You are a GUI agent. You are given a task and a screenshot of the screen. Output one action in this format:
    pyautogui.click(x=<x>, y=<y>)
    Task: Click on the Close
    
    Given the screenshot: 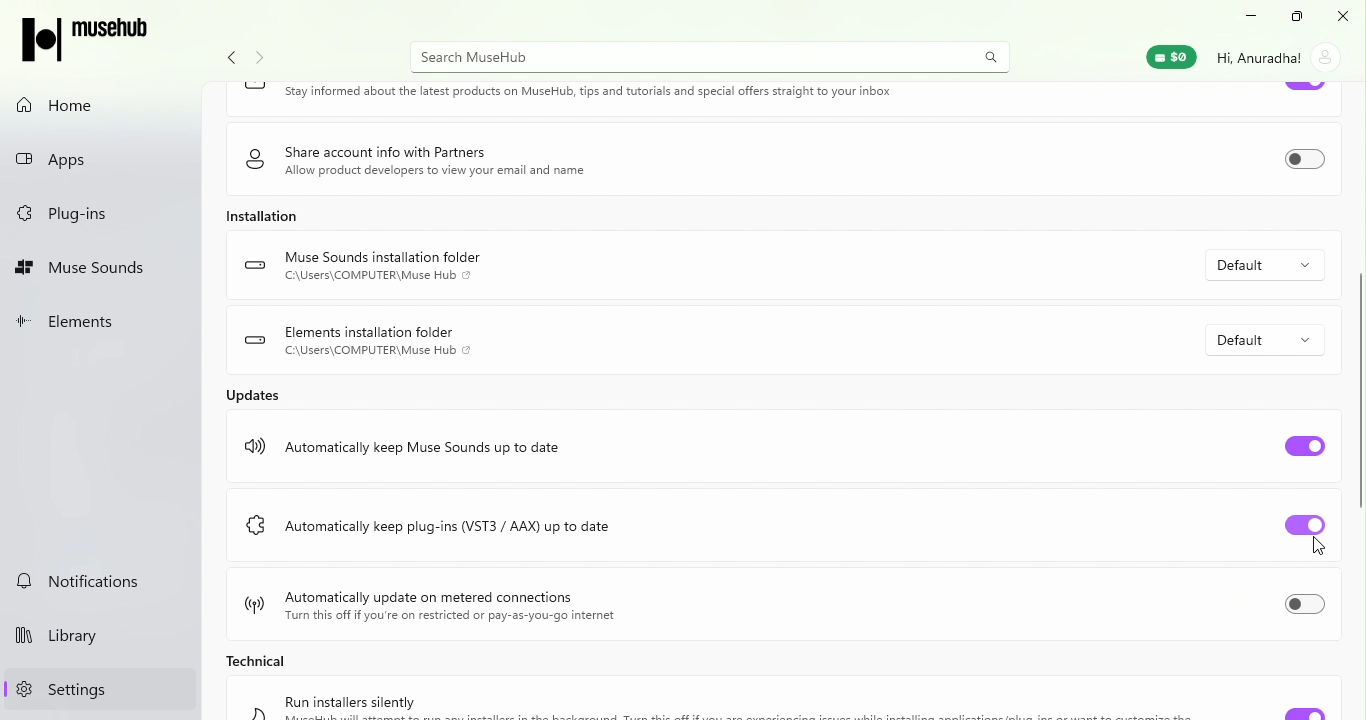 What is the action you would take?
    pyautogui.click(x=1346, y=19)
    